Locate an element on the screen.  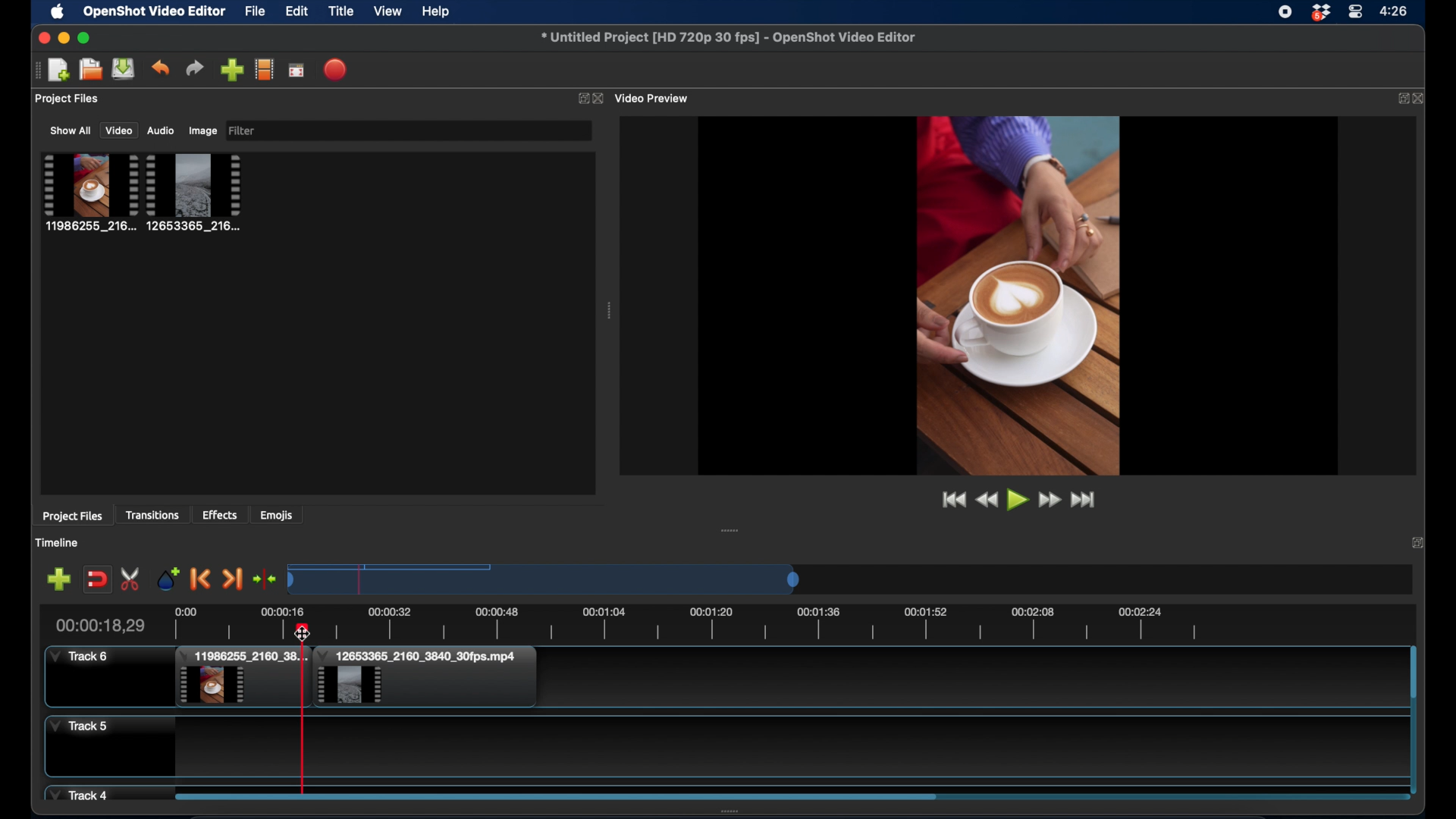
timeline scale is located at coordinates (546, 579).